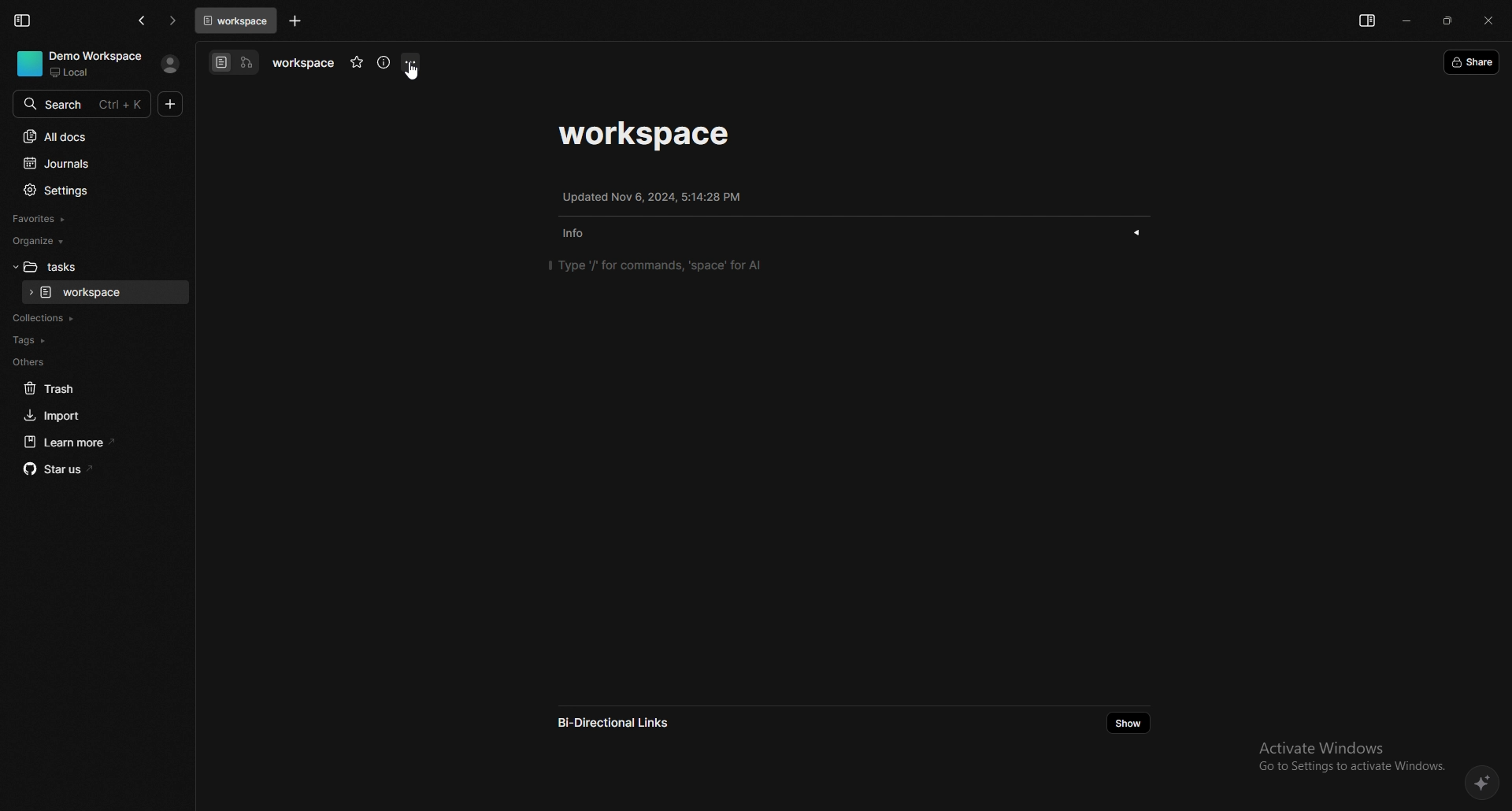  Describe the element at coordinates (91, 416) in the screenshot. I see `import` at that location.